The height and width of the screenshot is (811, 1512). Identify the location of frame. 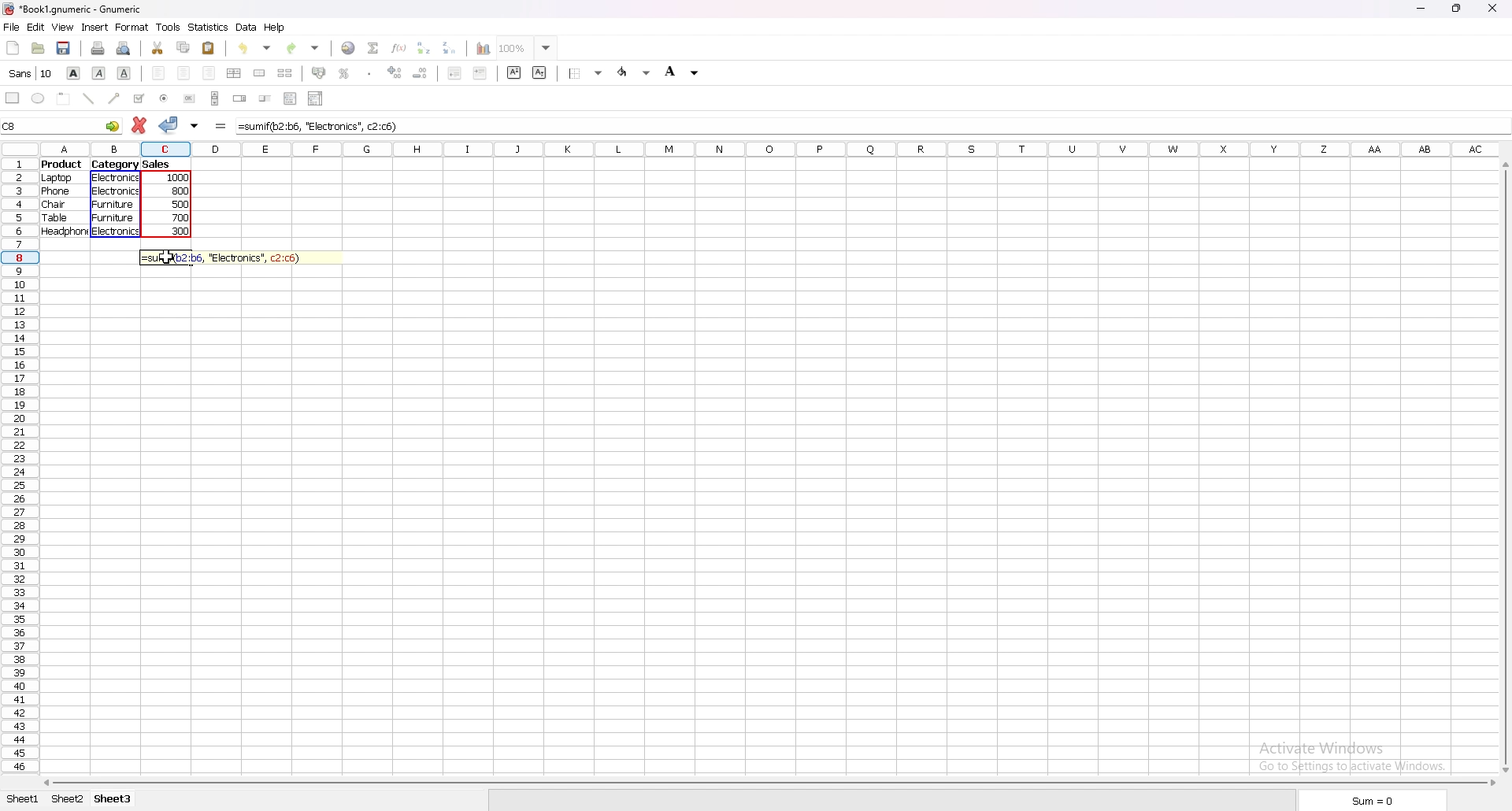
(63, 98).